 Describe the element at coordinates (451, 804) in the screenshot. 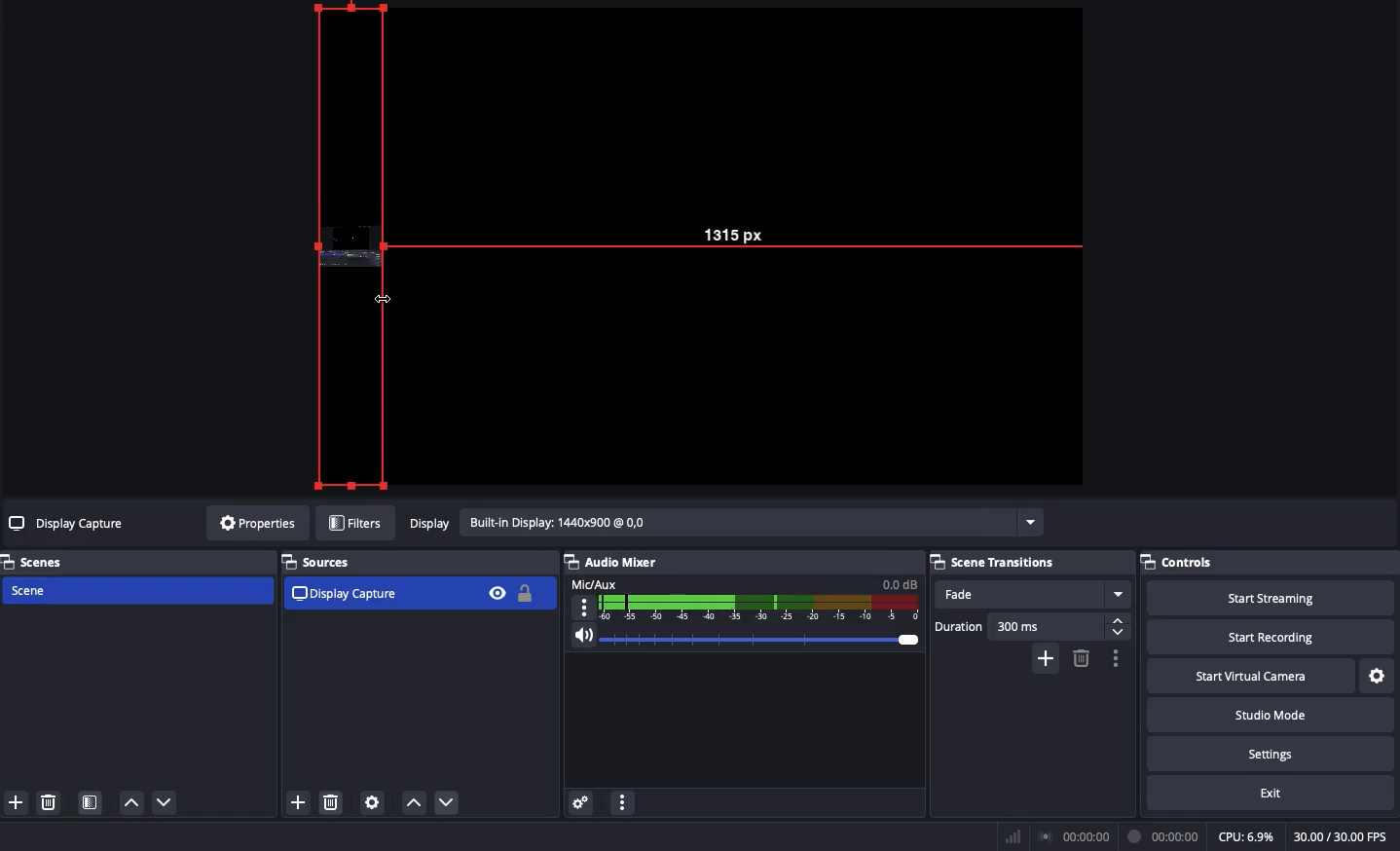

I see `Down` at that location.